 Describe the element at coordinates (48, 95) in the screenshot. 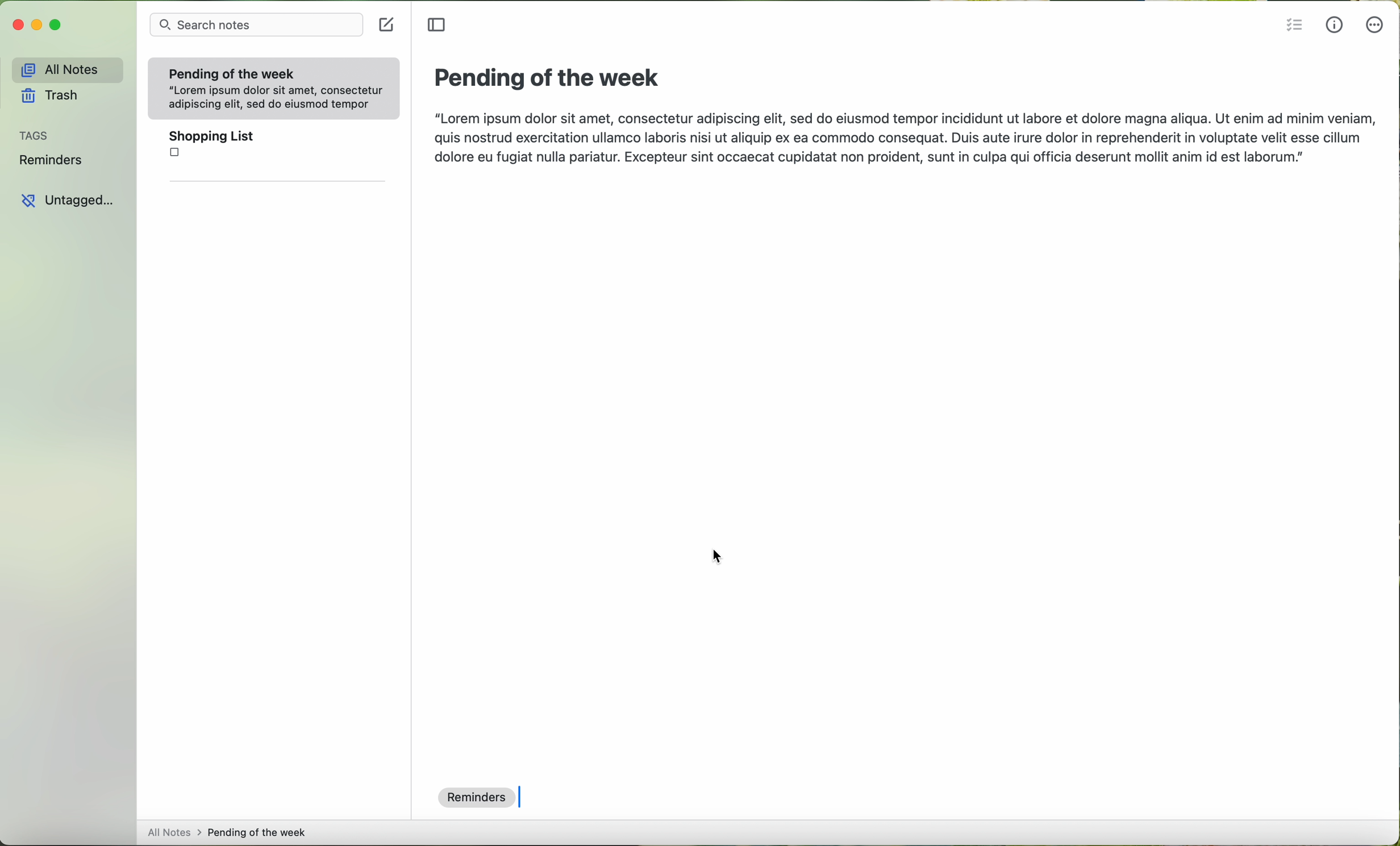

I see `trash` at that location.